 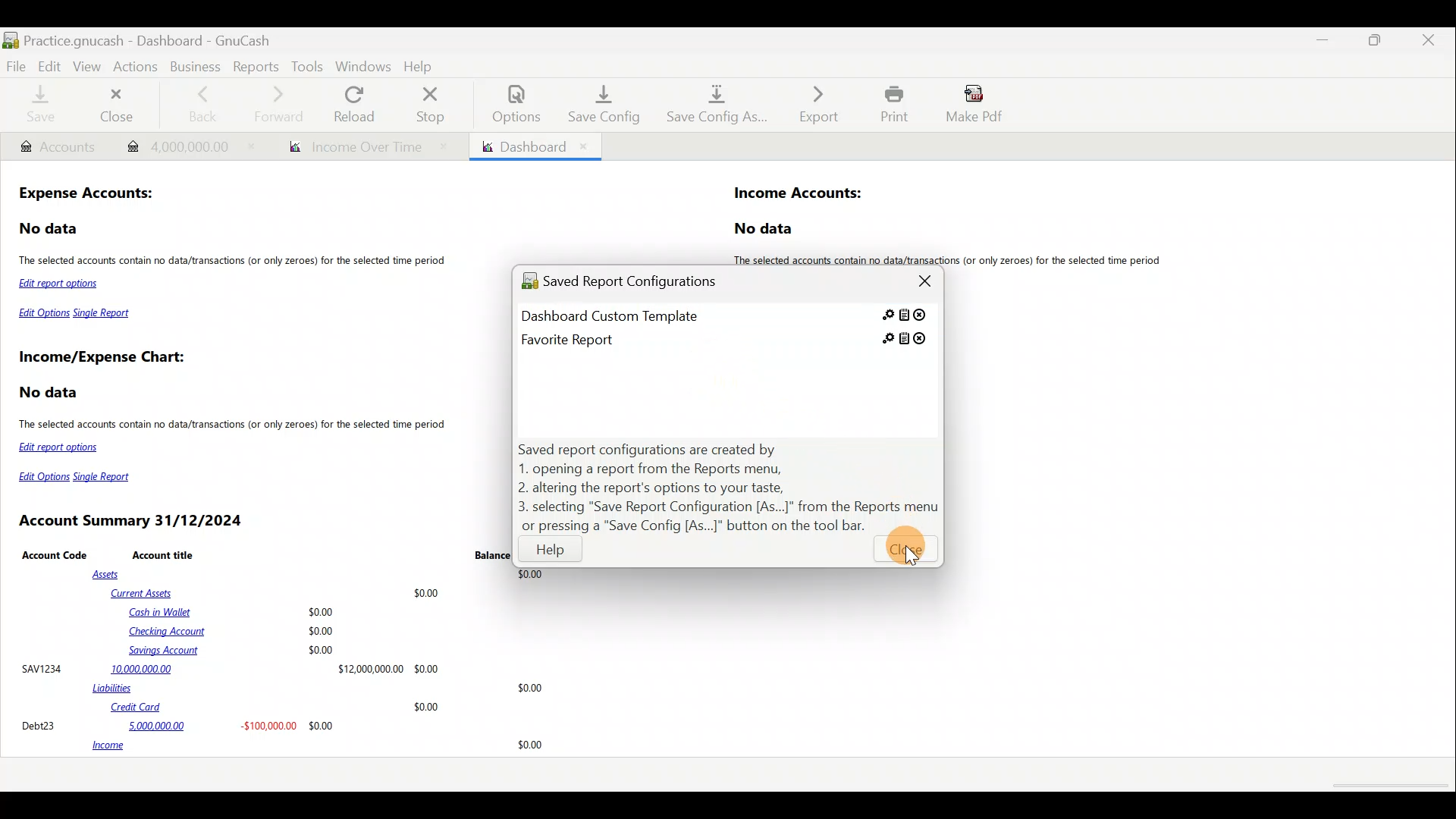 What do you see at coordinates (234, 426) in the screenshot?
I see `The selected accounts contain no data/transactions (or only zeroes) for the selected time period` at bounding box center [234, 426].